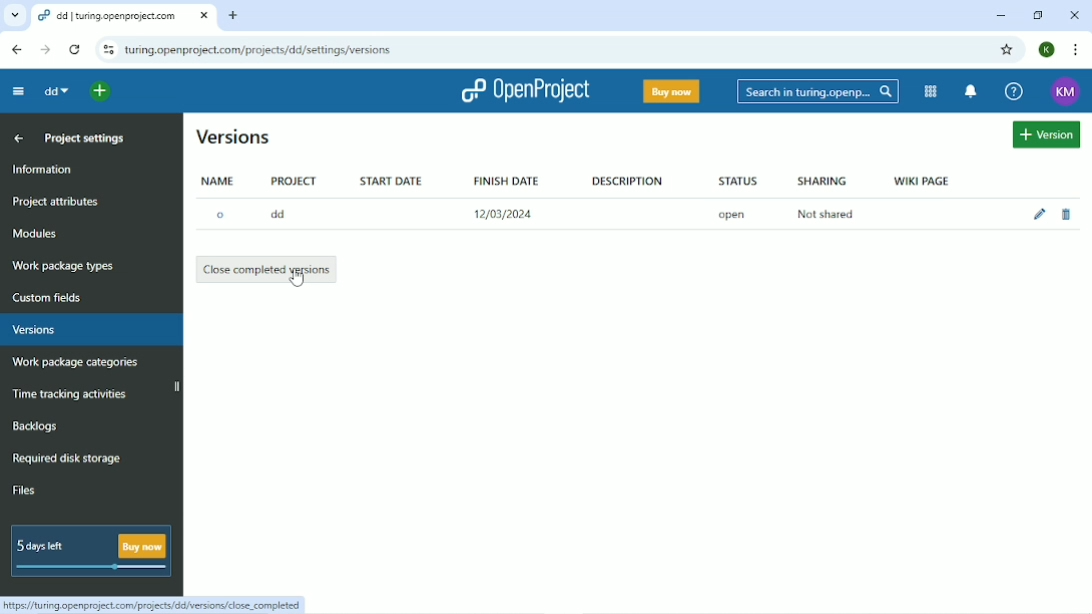 This screenshot has height=614, width=1092. I want to click on new tab, so click(236, 15).